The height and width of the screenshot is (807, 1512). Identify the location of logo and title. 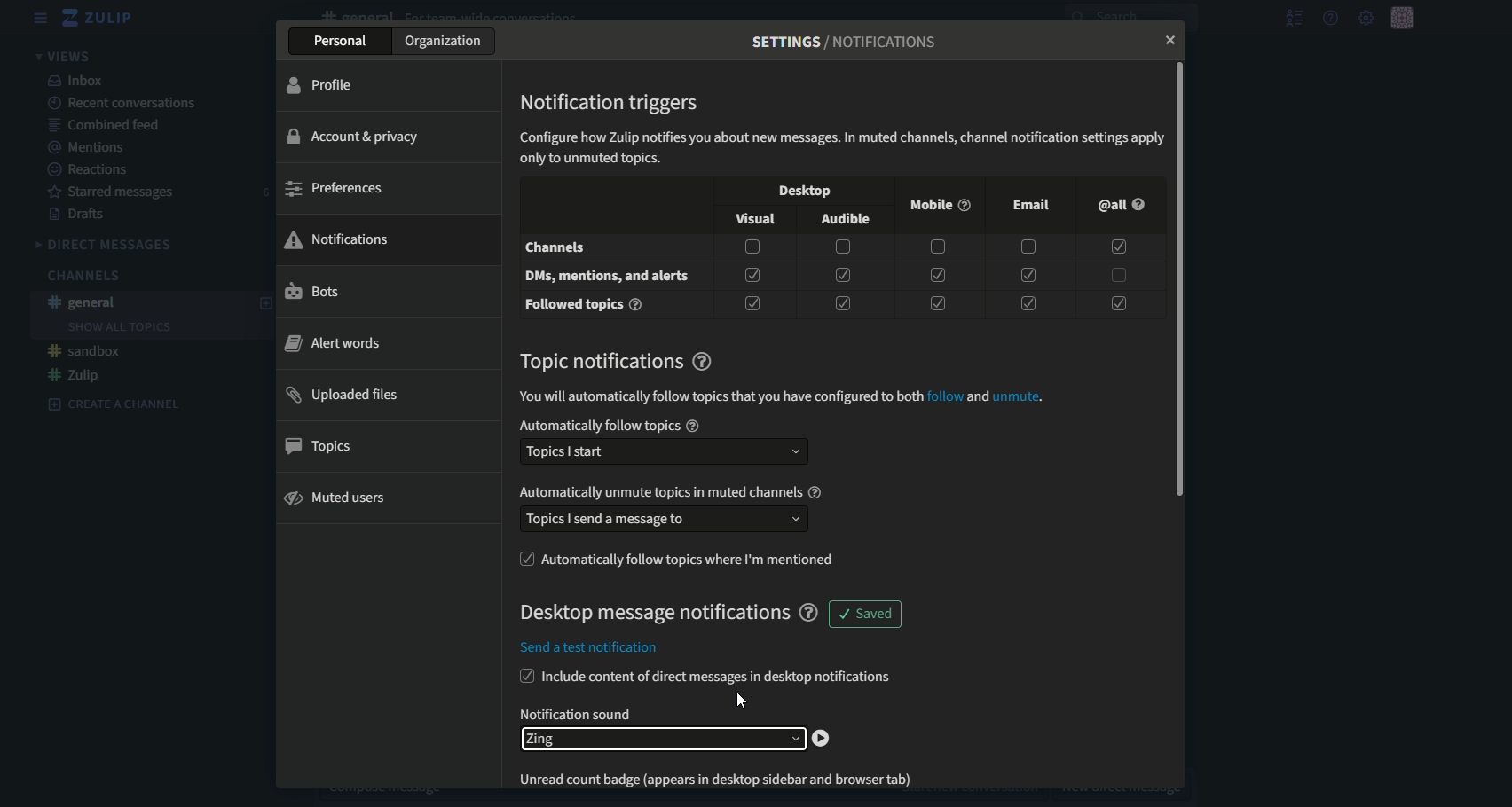
(99, 18).